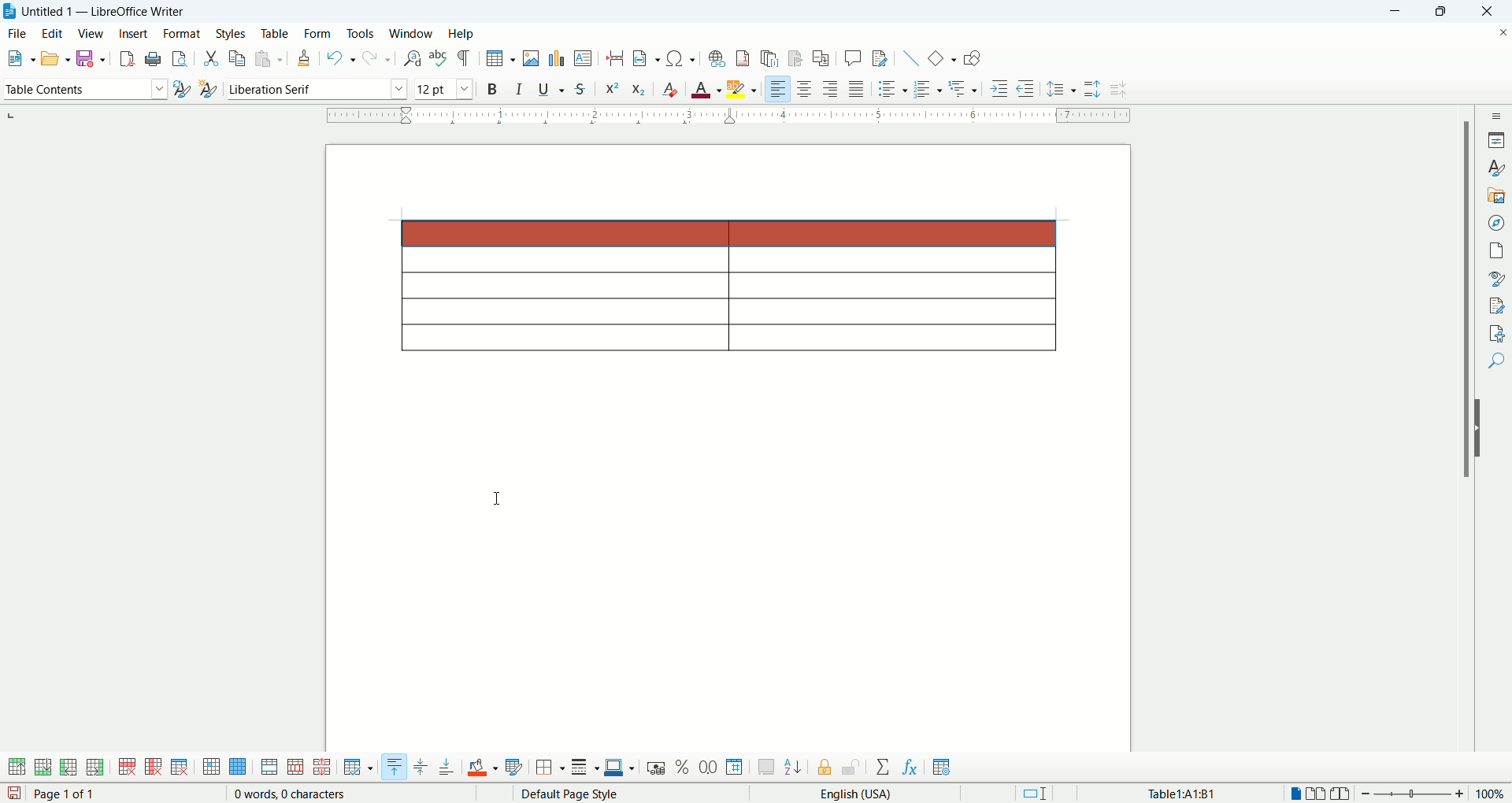 This screenshot has width=1512, height=803. I want to click on set line spacing, so click(1061, 90).